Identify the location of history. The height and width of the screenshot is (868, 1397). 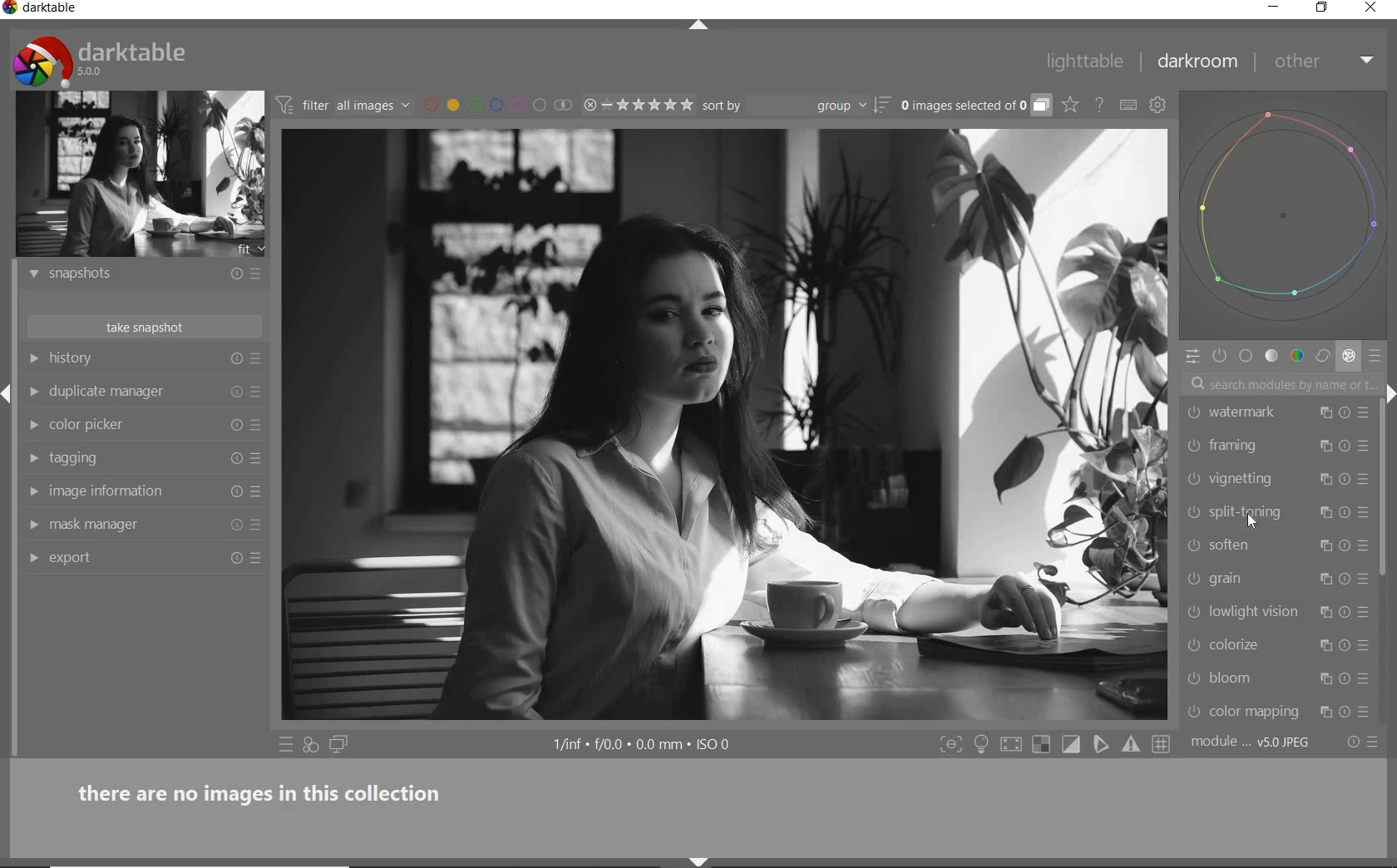
(135, 359).